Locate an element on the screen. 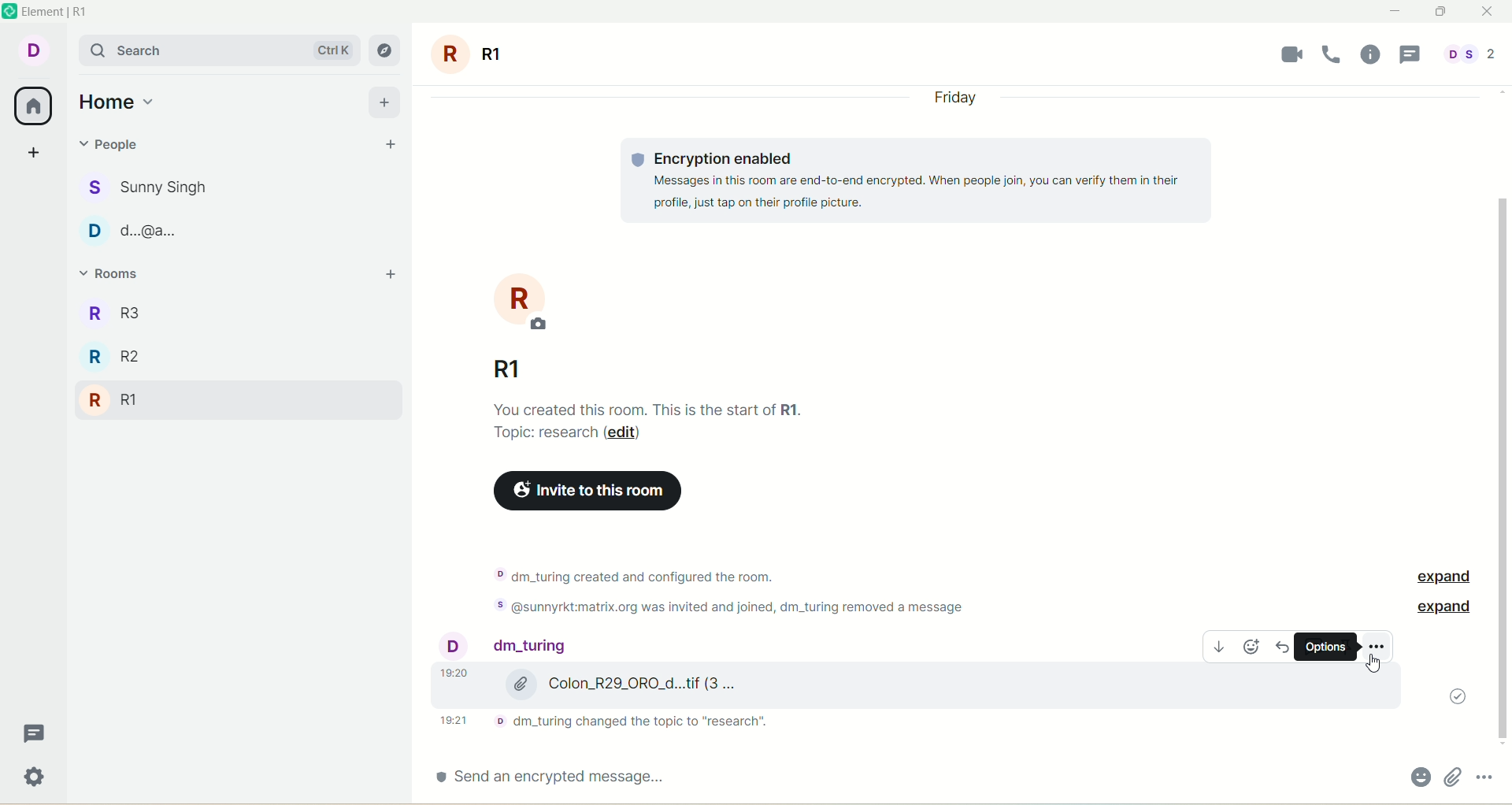  logo is located at coordinates (11, 14).